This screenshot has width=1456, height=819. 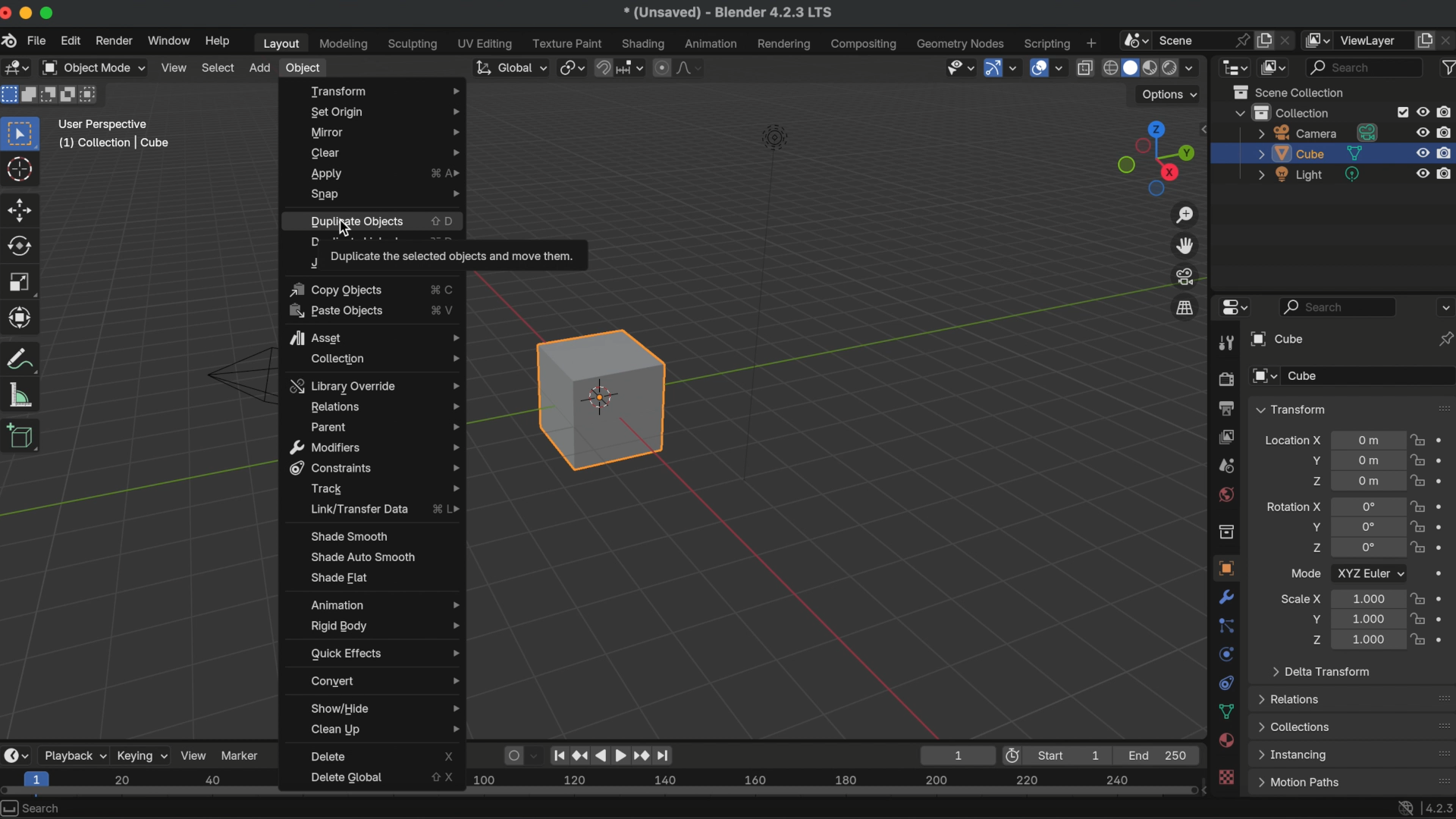 What do you see at coordinates (368, 290) in the screenshot?
I see `copy objects` at bounding box center [368, 290].